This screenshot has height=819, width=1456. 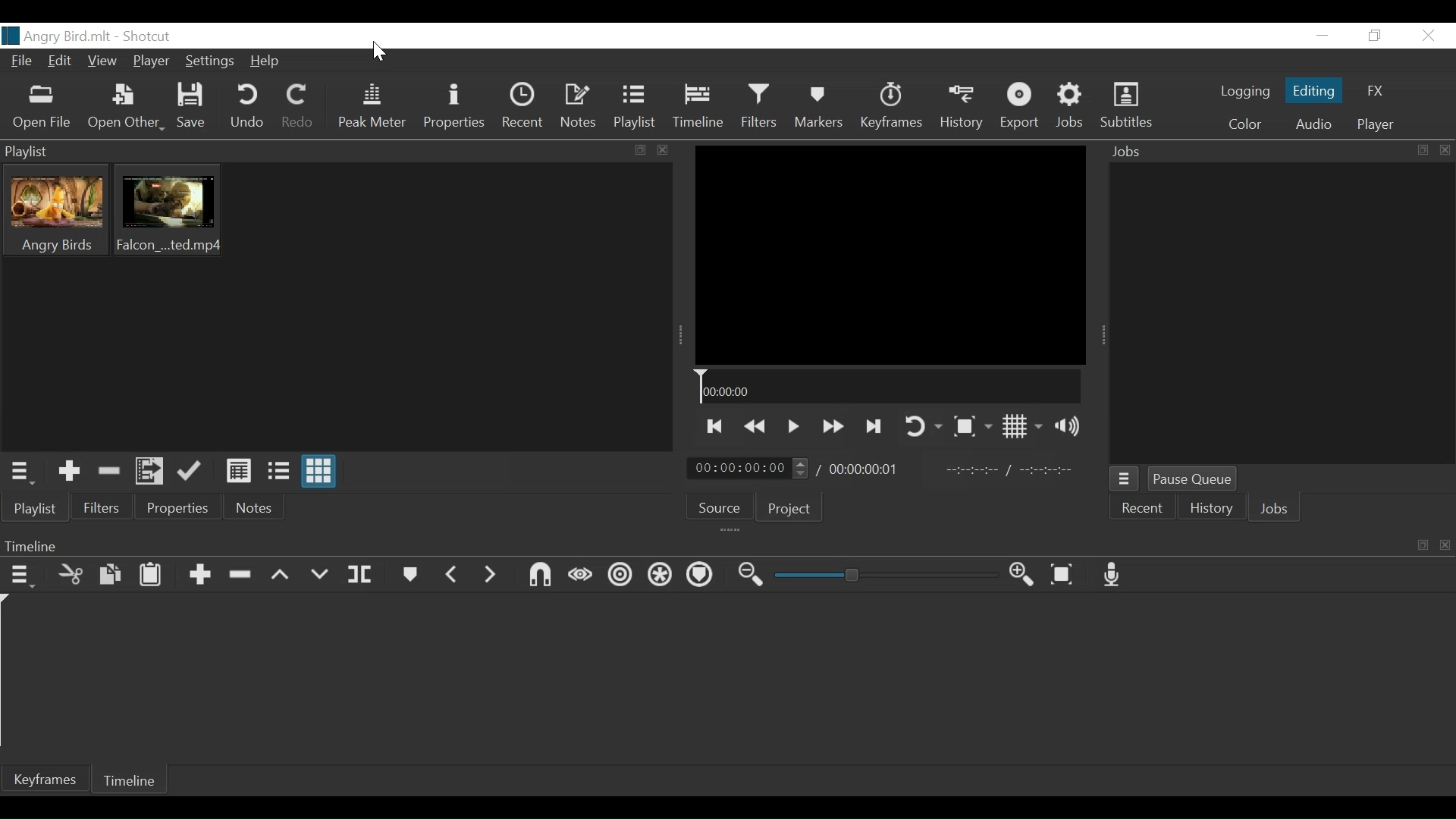 What do you see at coordinates (1376, 89) in the screenshot?
I see `FX` at bounding box center [1376, 89].